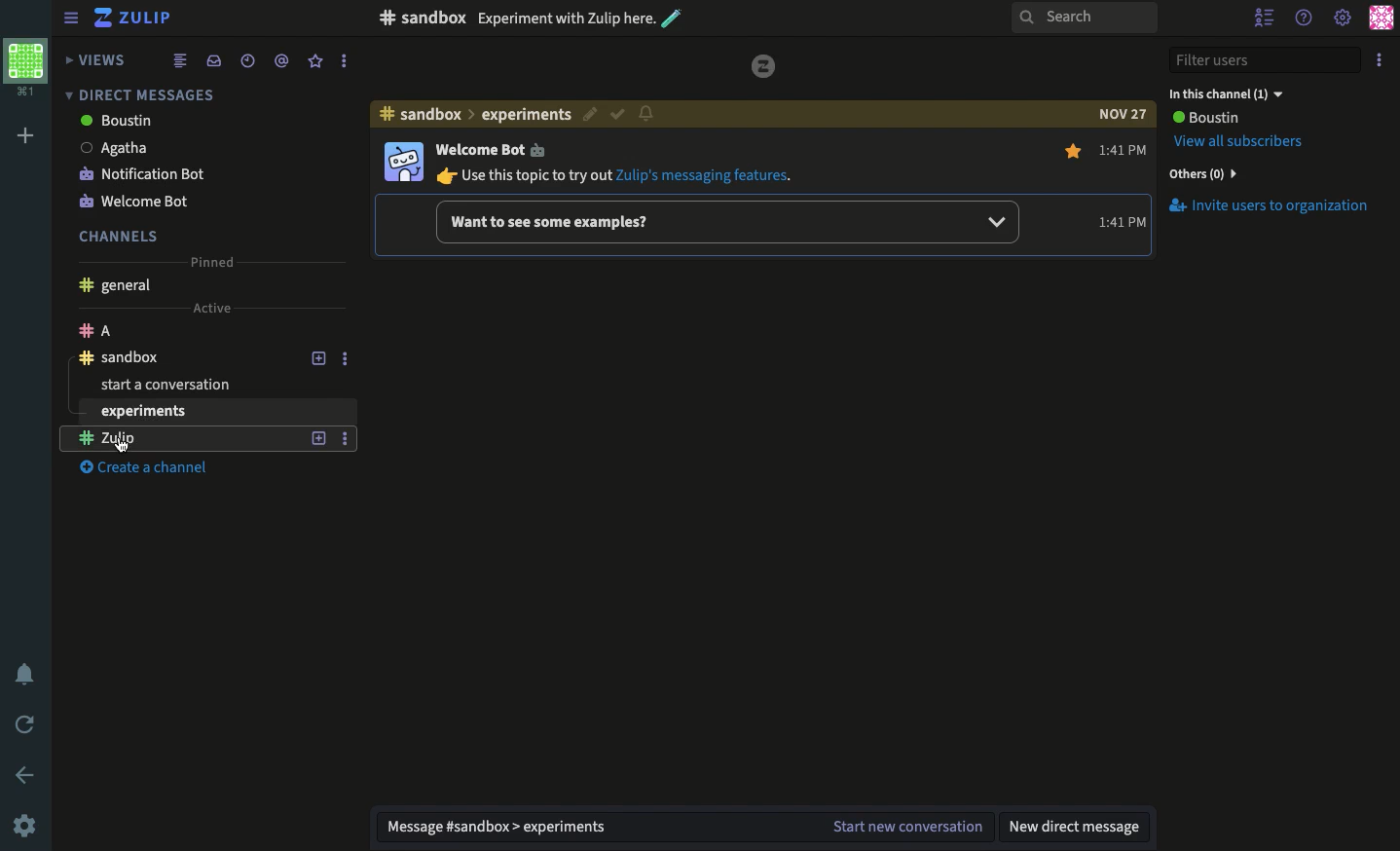 This screenshot has width=1400, height=851. Describe the element at coordinates (27, 775) in the screenshot. I see `Back` at that location.